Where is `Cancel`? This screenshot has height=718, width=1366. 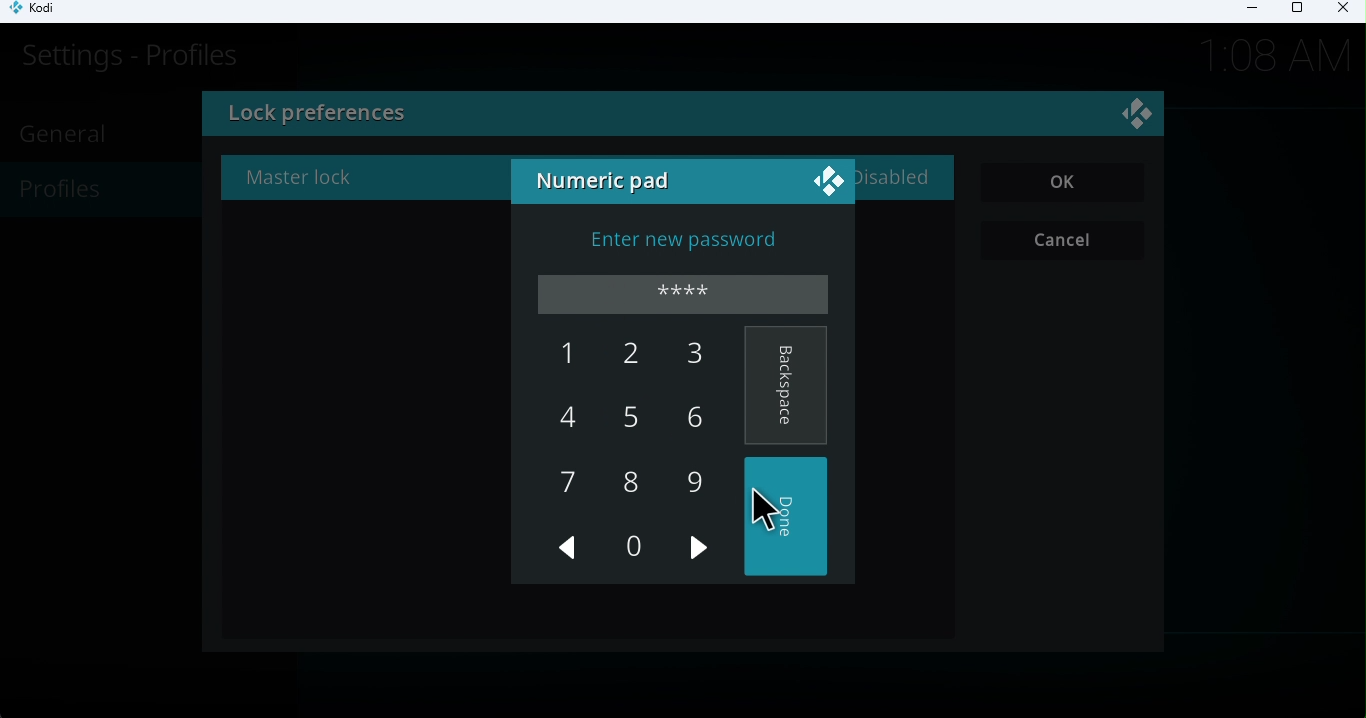 Cancel is located at coordinates (1066, 241).